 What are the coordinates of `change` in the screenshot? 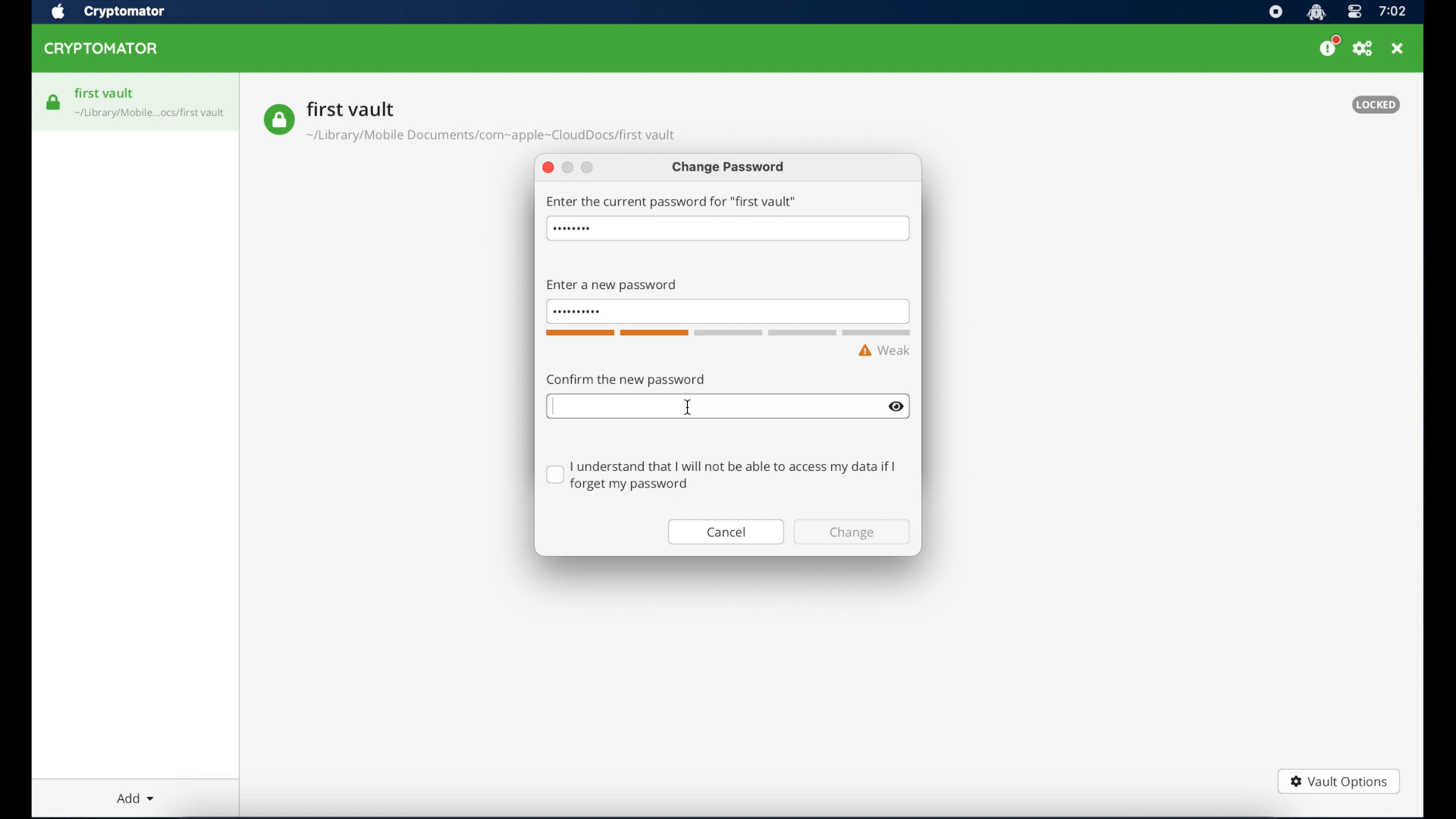 It's located at (852, 532).